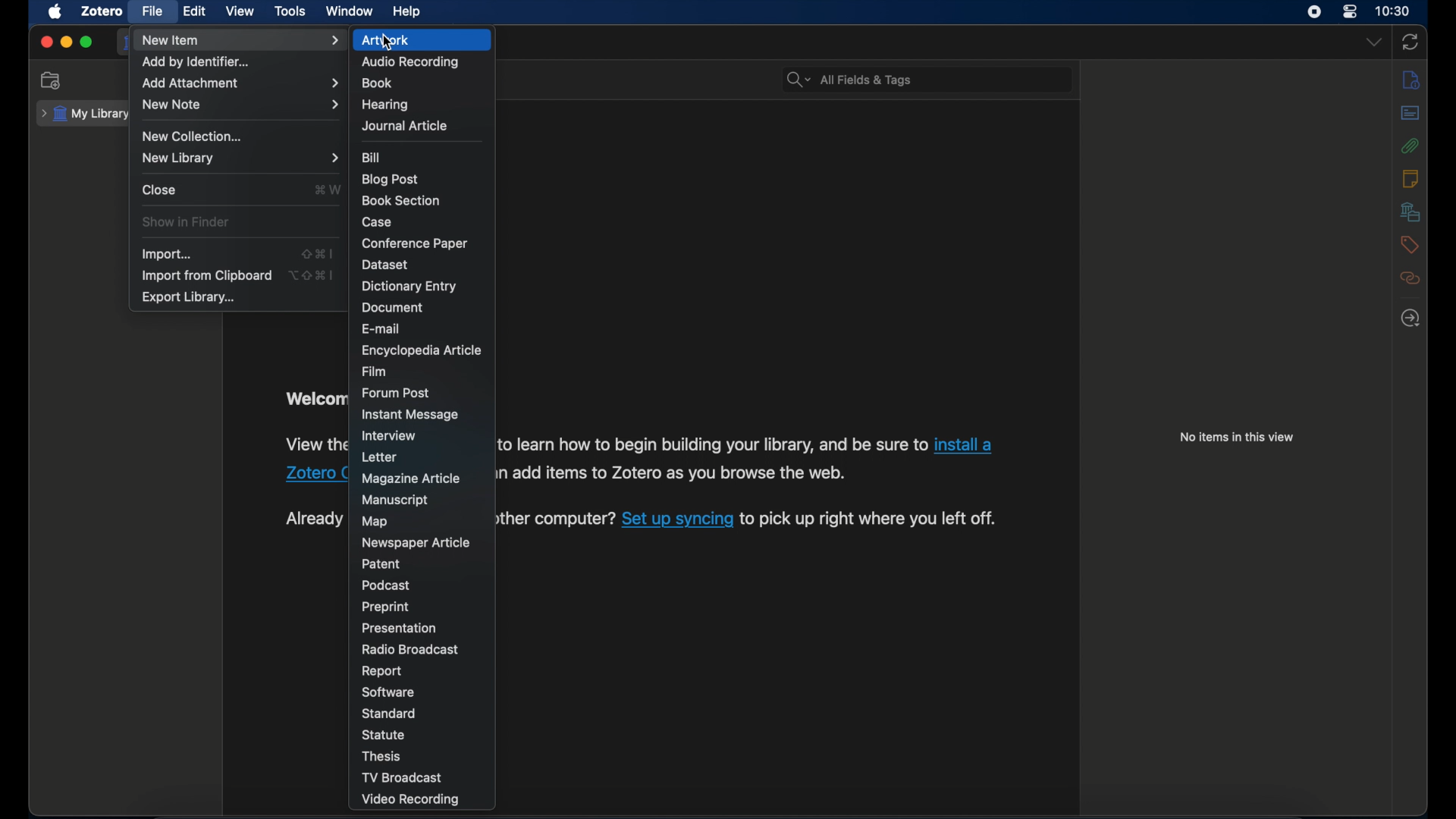  I want to click on conference paper, so click(414, 243).